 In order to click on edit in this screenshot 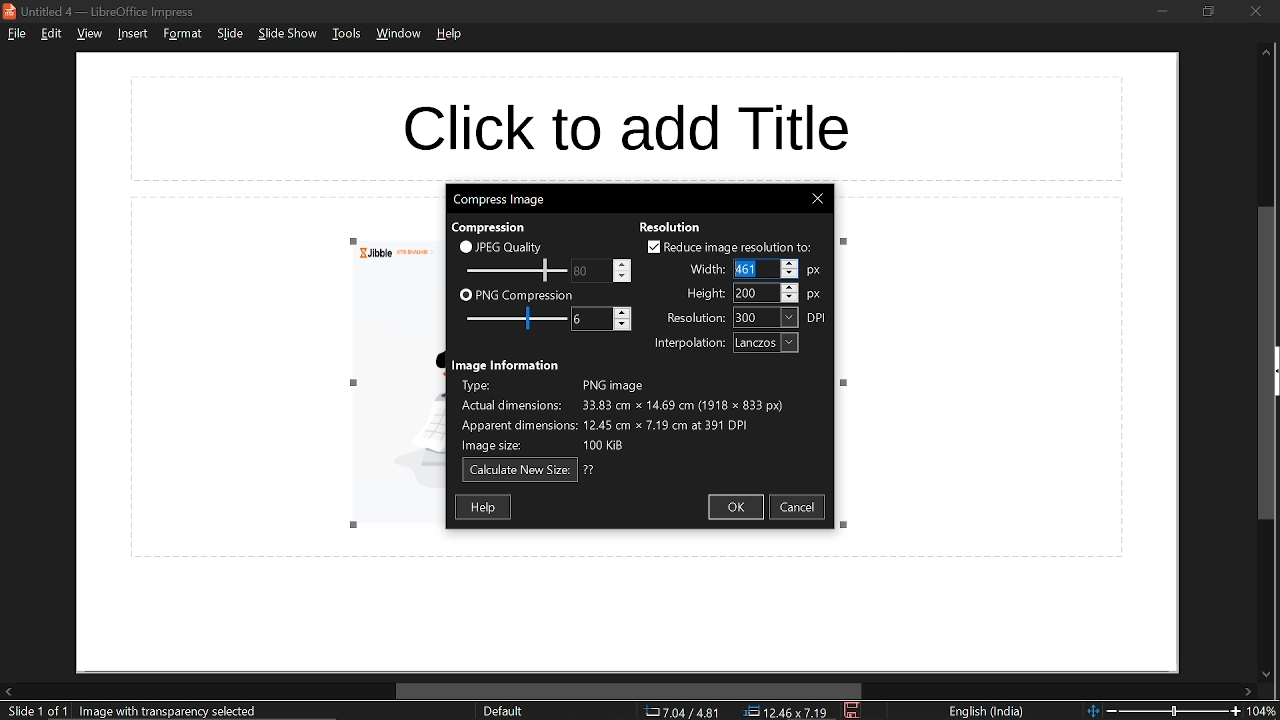, I will do `click(50, 34)`.